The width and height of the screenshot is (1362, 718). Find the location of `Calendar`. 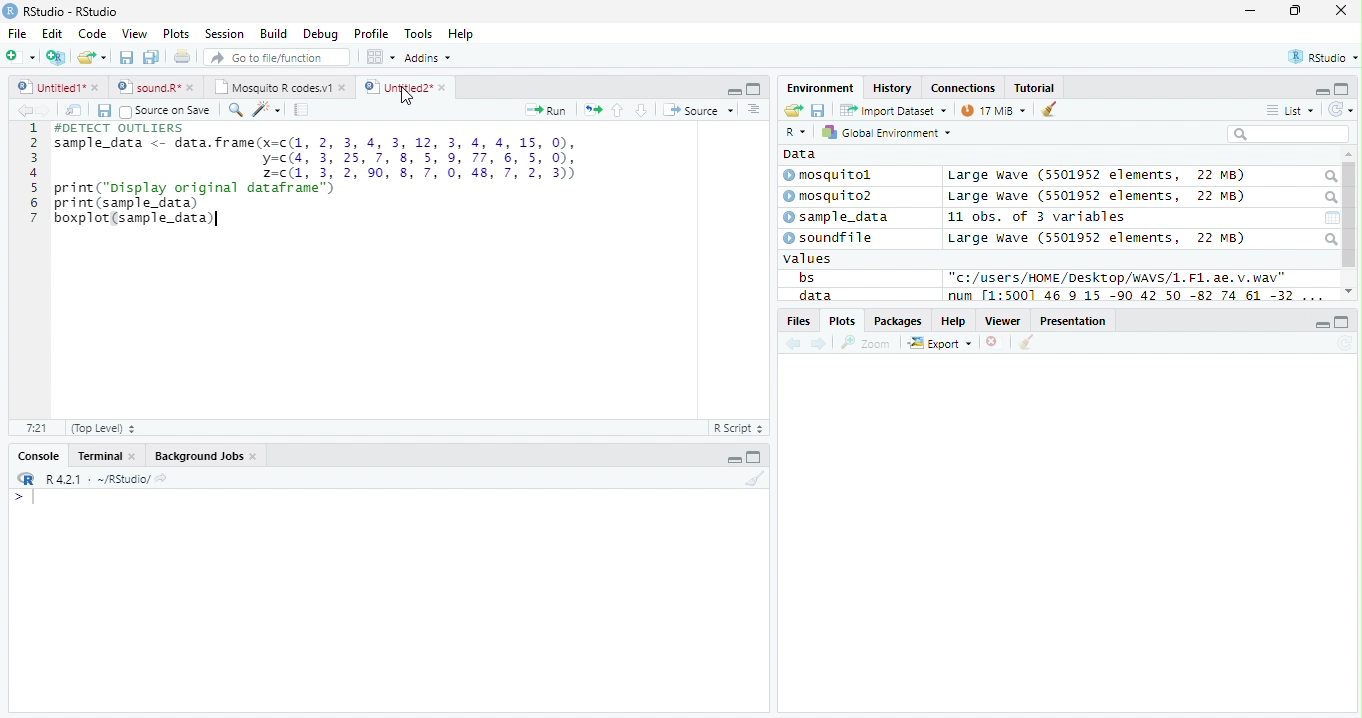

Calendar is located at coordinates (1332, 218).